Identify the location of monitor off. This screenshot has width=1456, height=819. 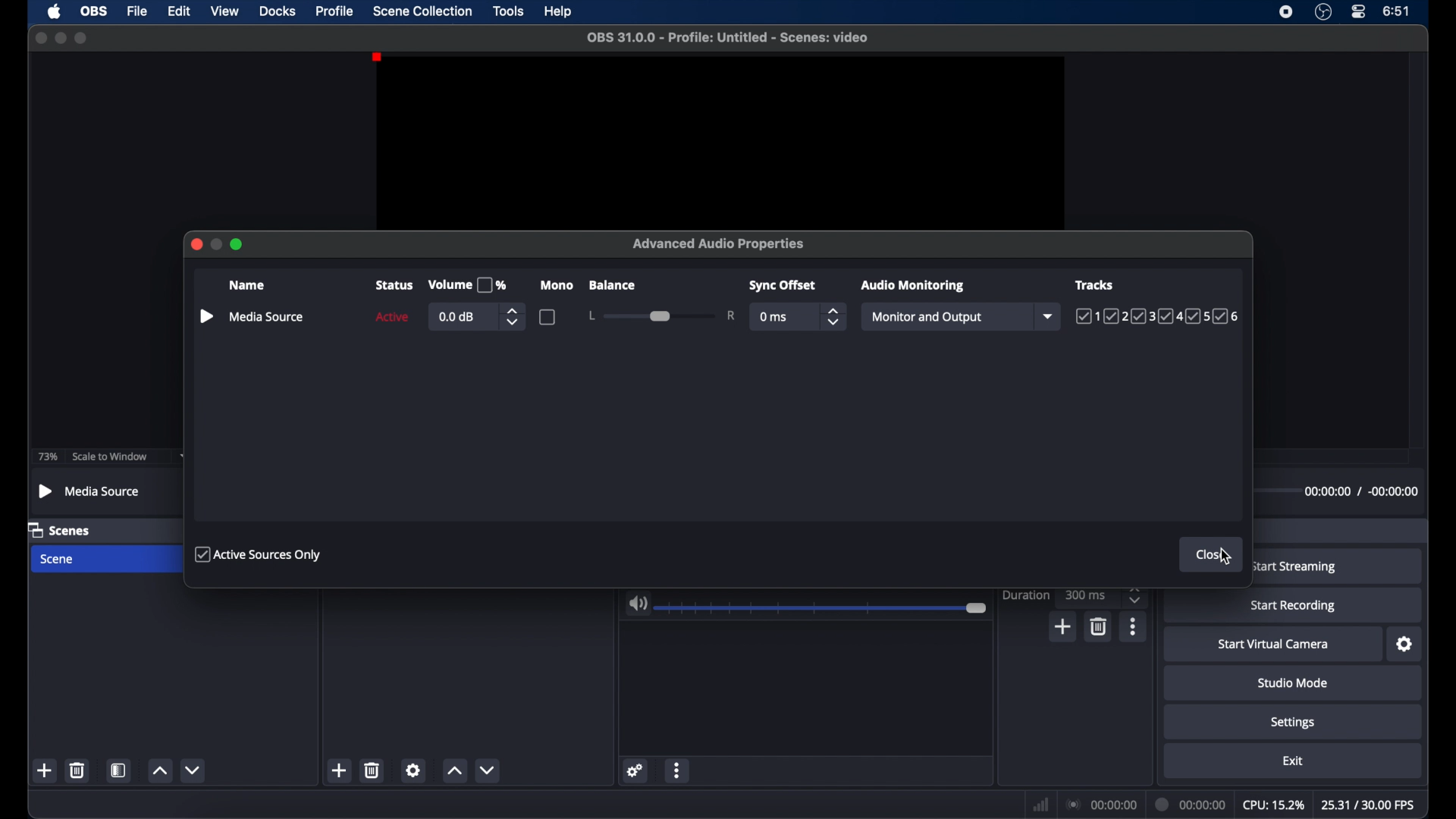
(906, 317).